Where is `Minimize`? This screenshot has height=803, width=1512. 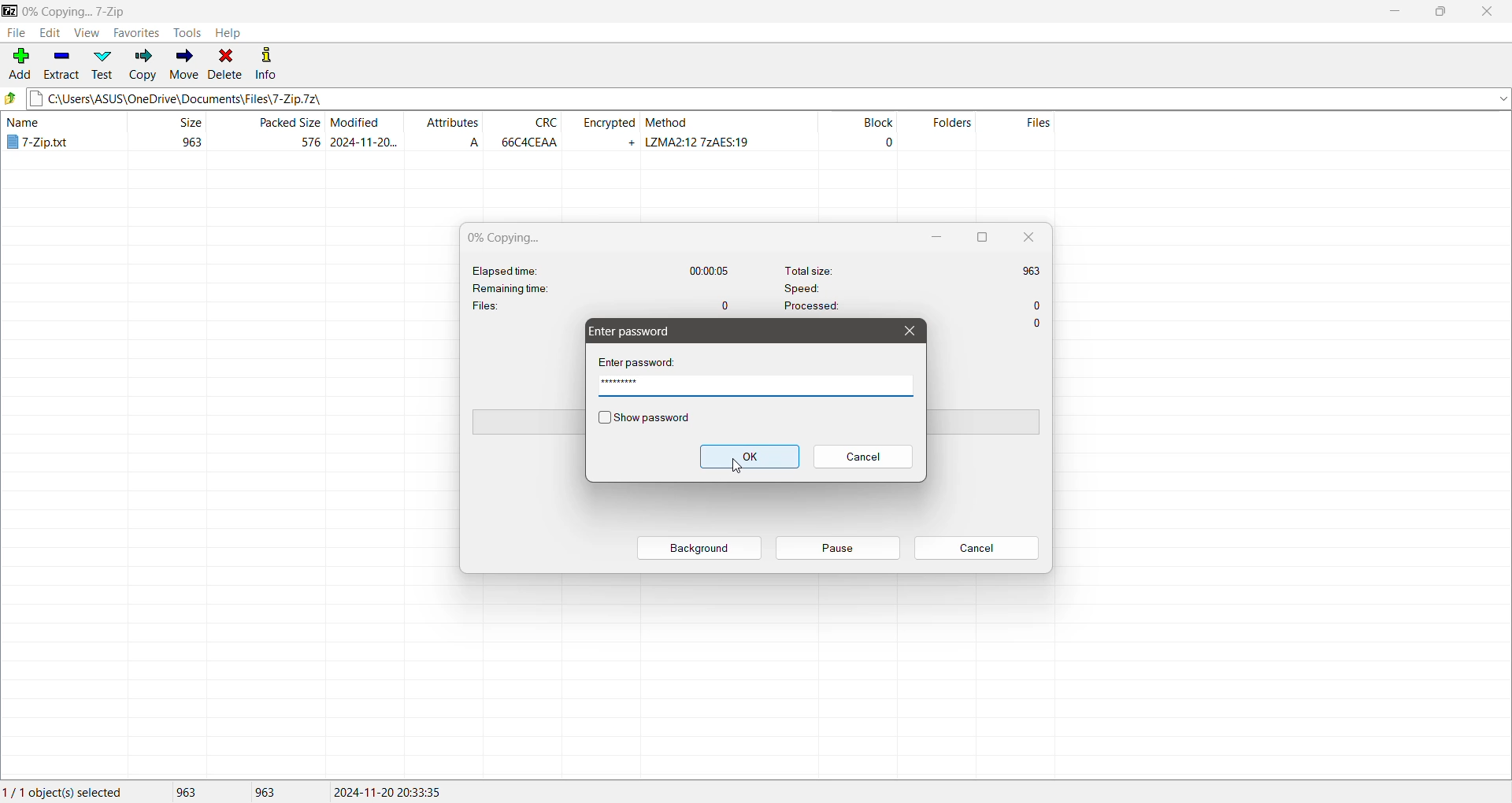 Minimize is located at coordinates (1393, 12).